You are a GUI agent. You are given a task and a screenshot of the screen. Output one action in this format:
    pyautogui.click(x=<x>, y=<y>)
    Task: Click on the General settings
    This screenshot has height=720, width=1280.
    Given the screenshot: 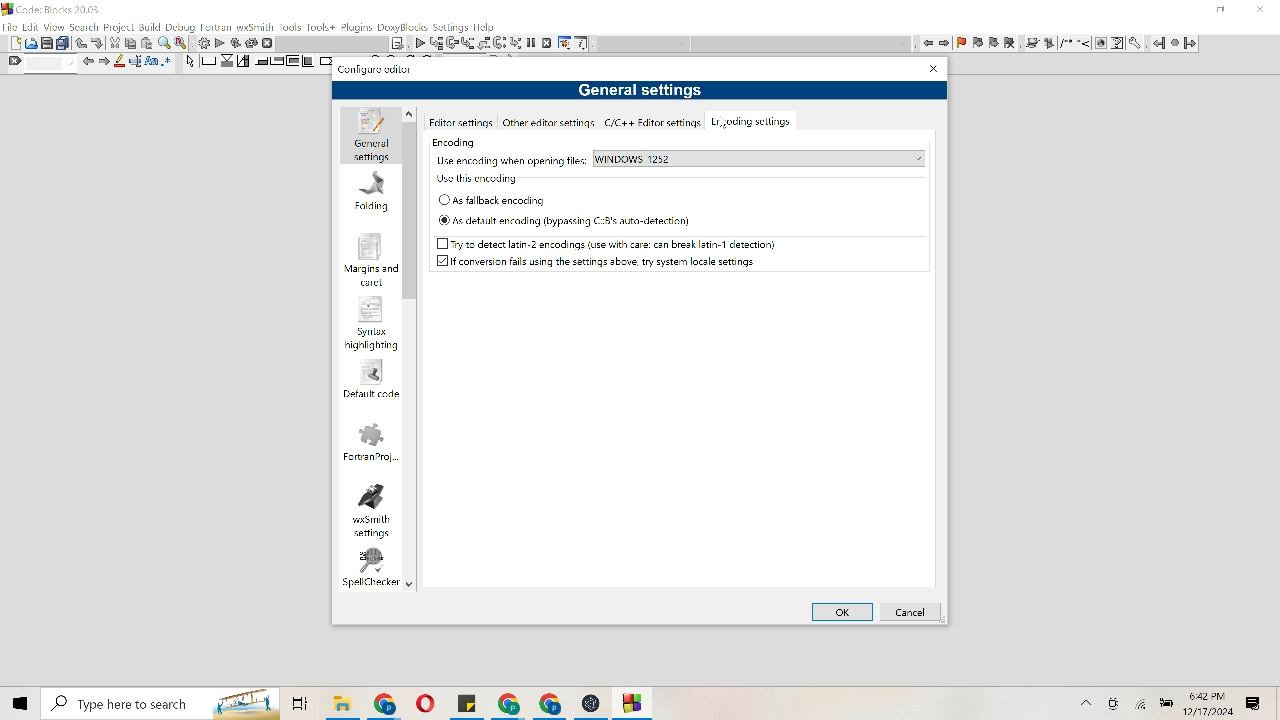 What is the action you would take?
    pyautogui.click(x=644, y=91)
    